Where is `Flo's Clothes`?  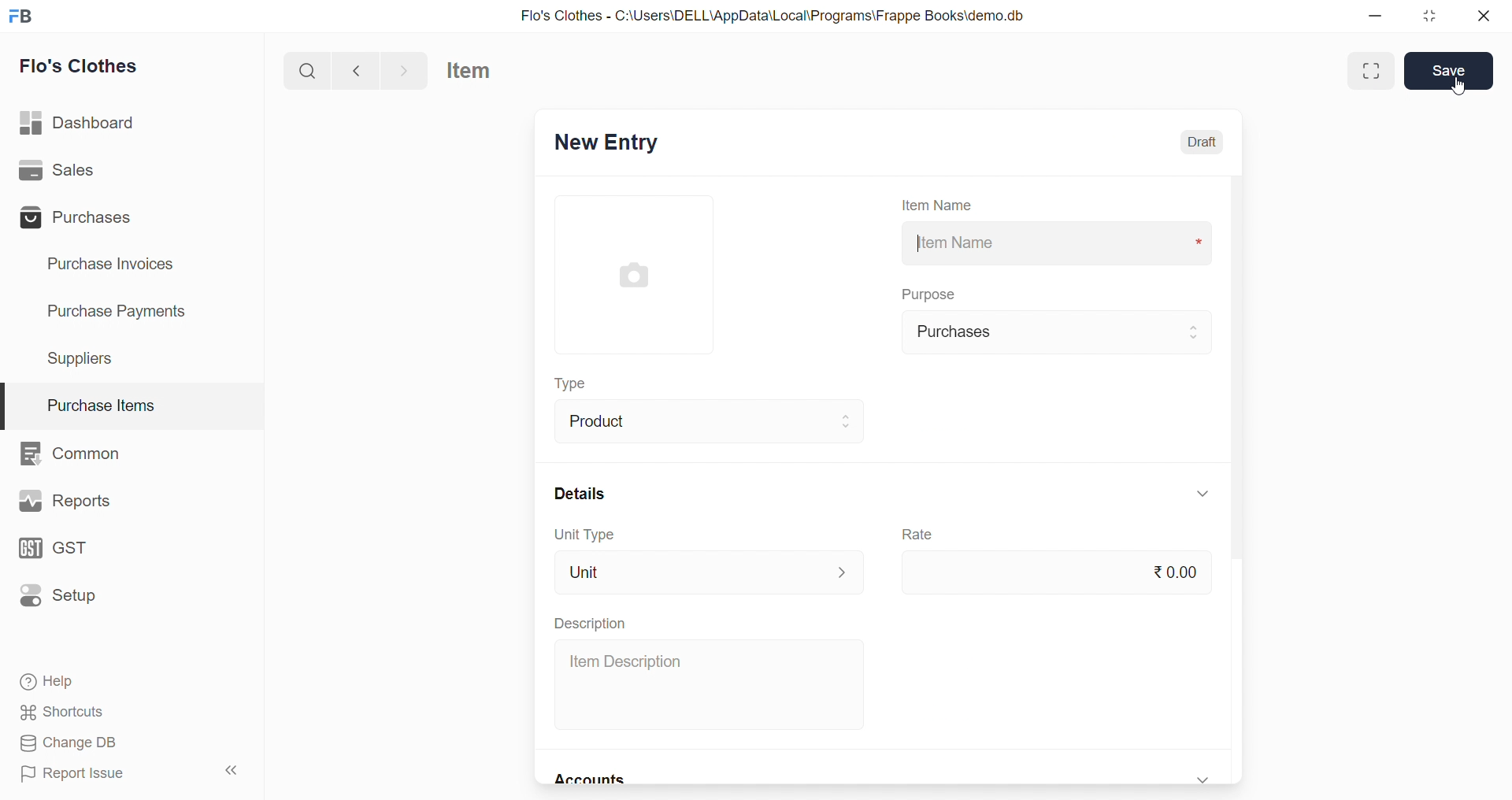 Flo's Clothes is located at coordinates (88, 66).